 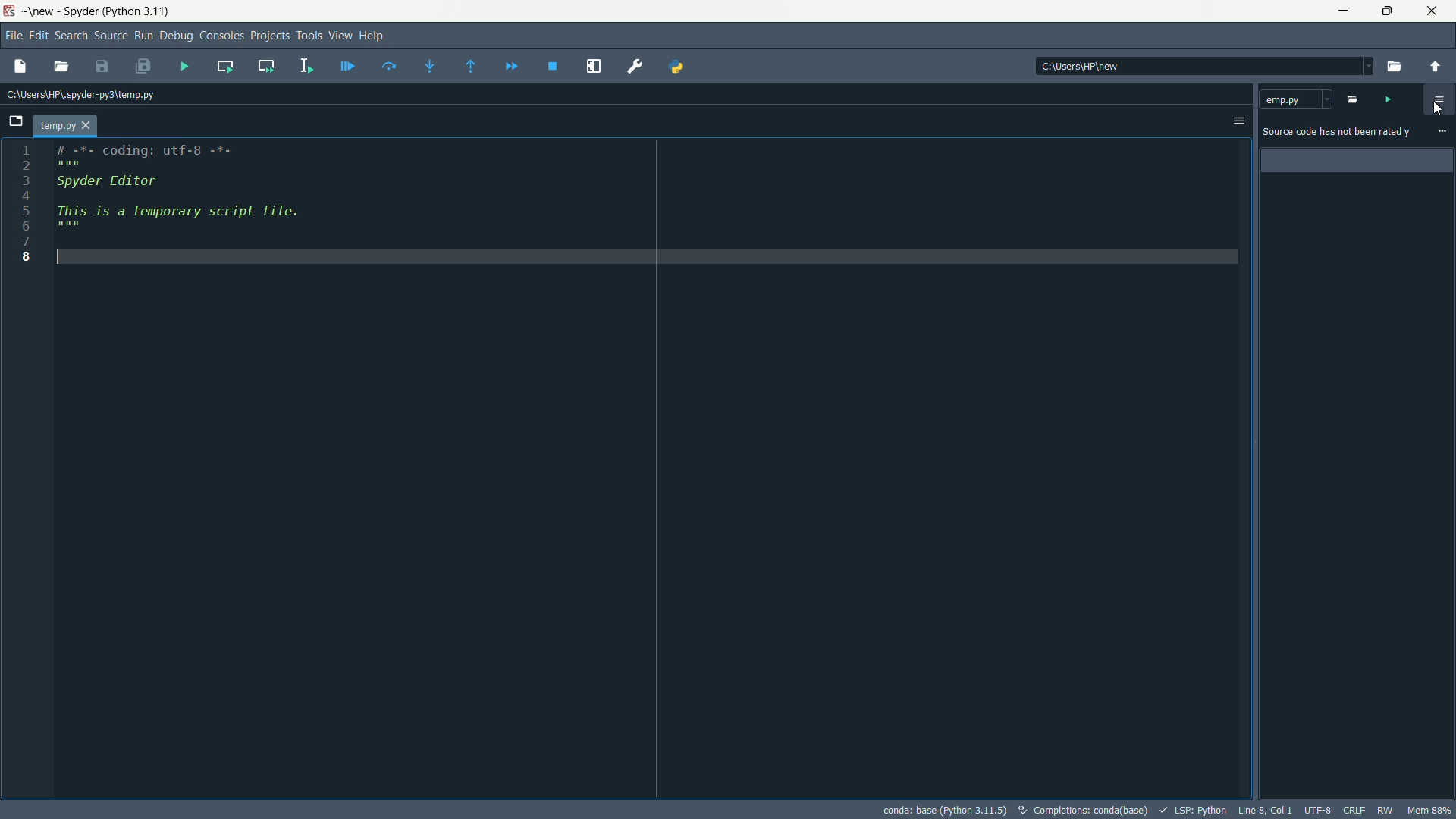 What do you see at coordinates (25, 240) in the screenshot?
I see `7` at bounding box center [25, 240].